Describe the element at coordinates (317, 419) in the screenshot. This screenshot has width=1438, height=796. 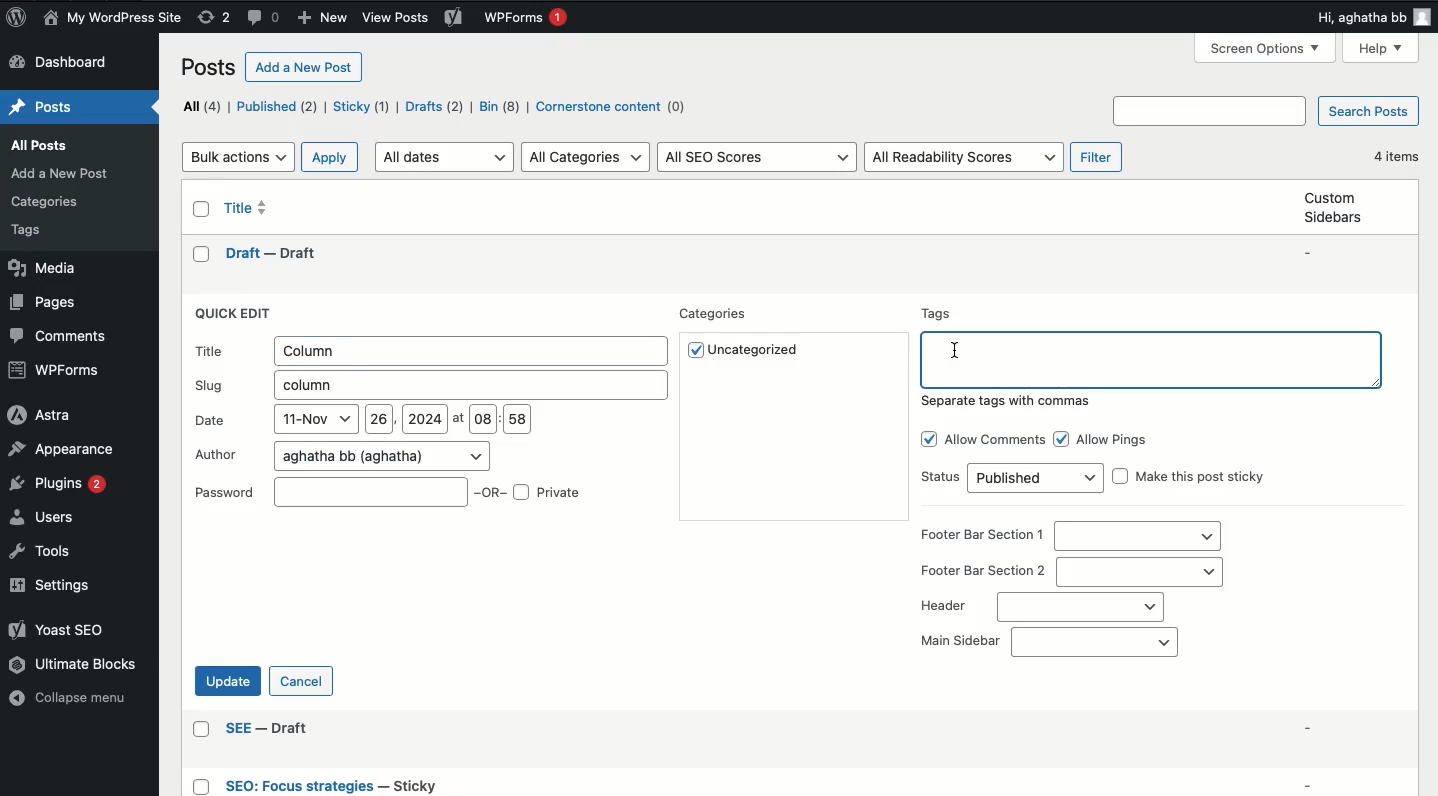
I see `11-Nov` at that location.